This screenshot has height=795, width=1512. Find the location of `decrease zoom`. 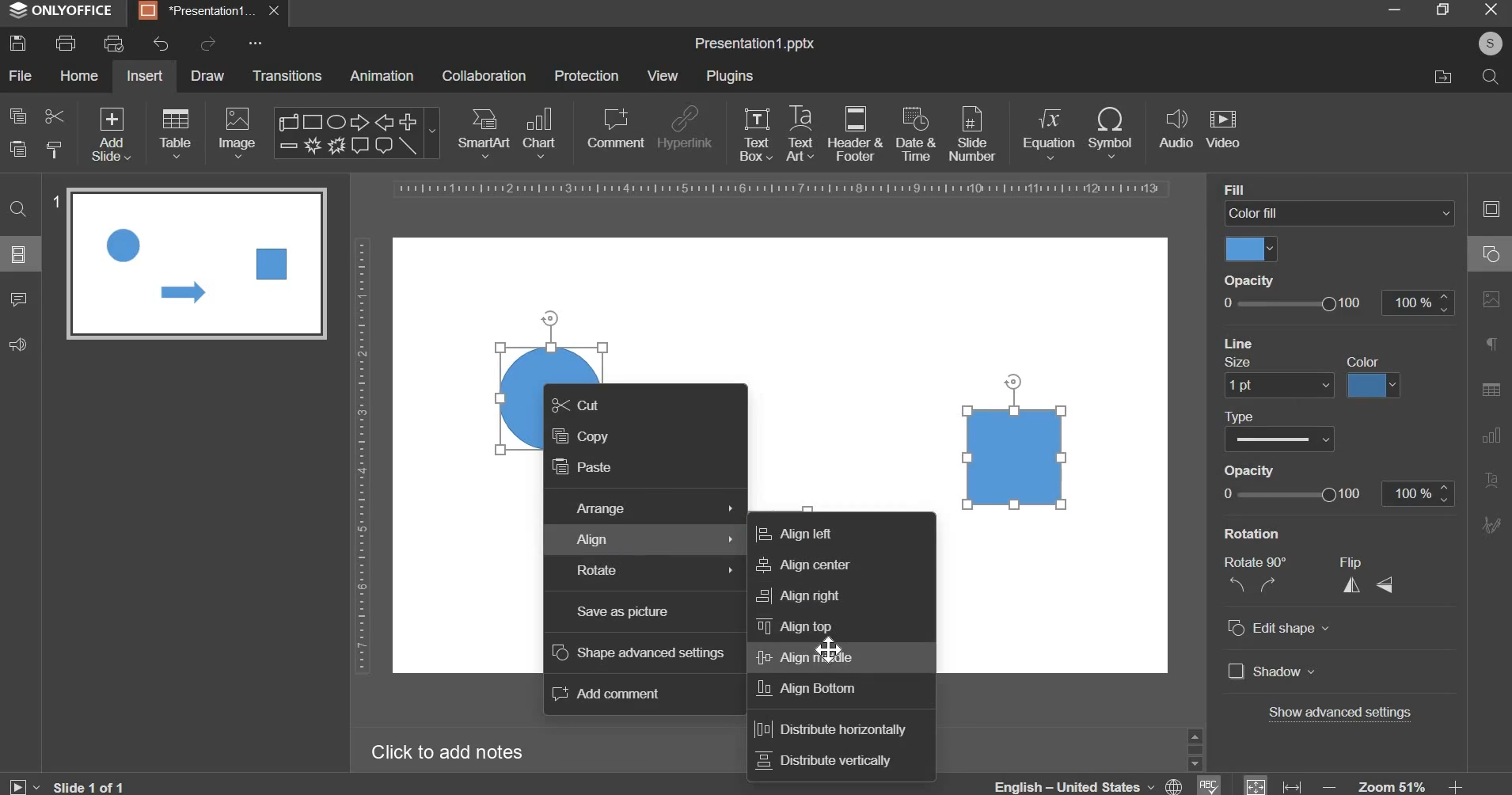

decrease zoom is located at coordinates (1330, 786).